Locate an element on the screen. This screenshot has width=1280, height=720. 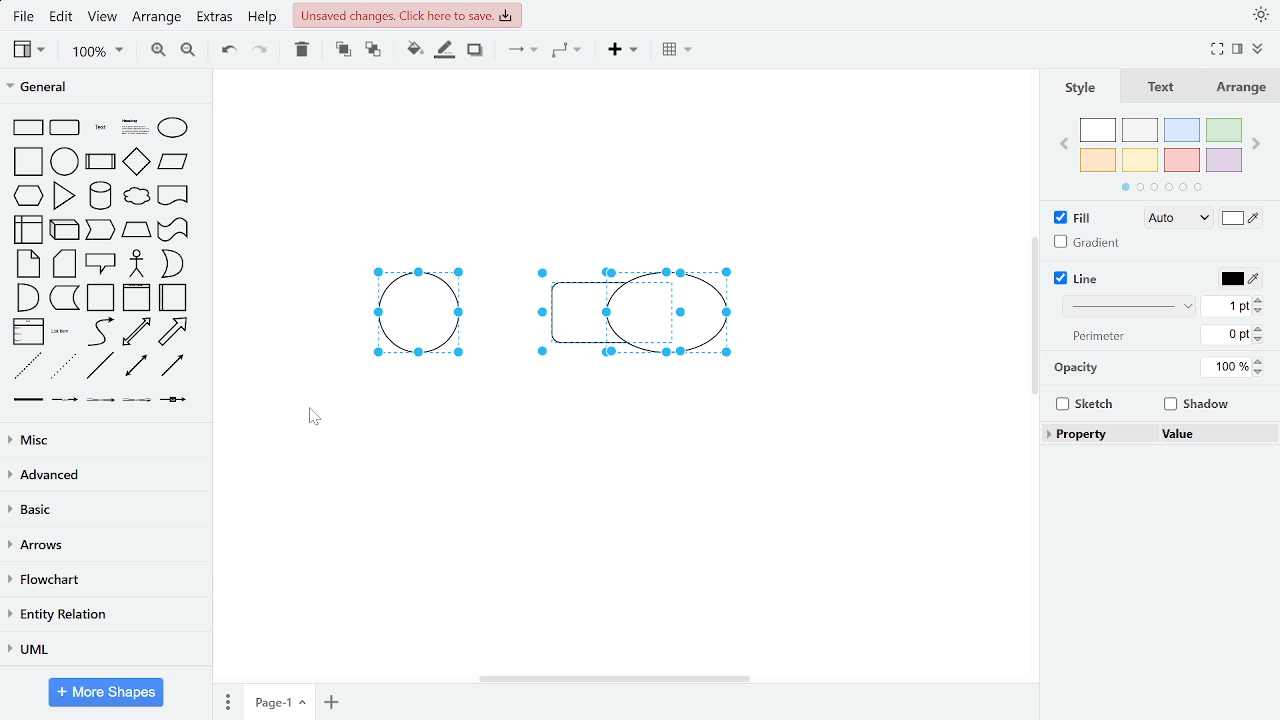
container is located at coordinates (102, 298).